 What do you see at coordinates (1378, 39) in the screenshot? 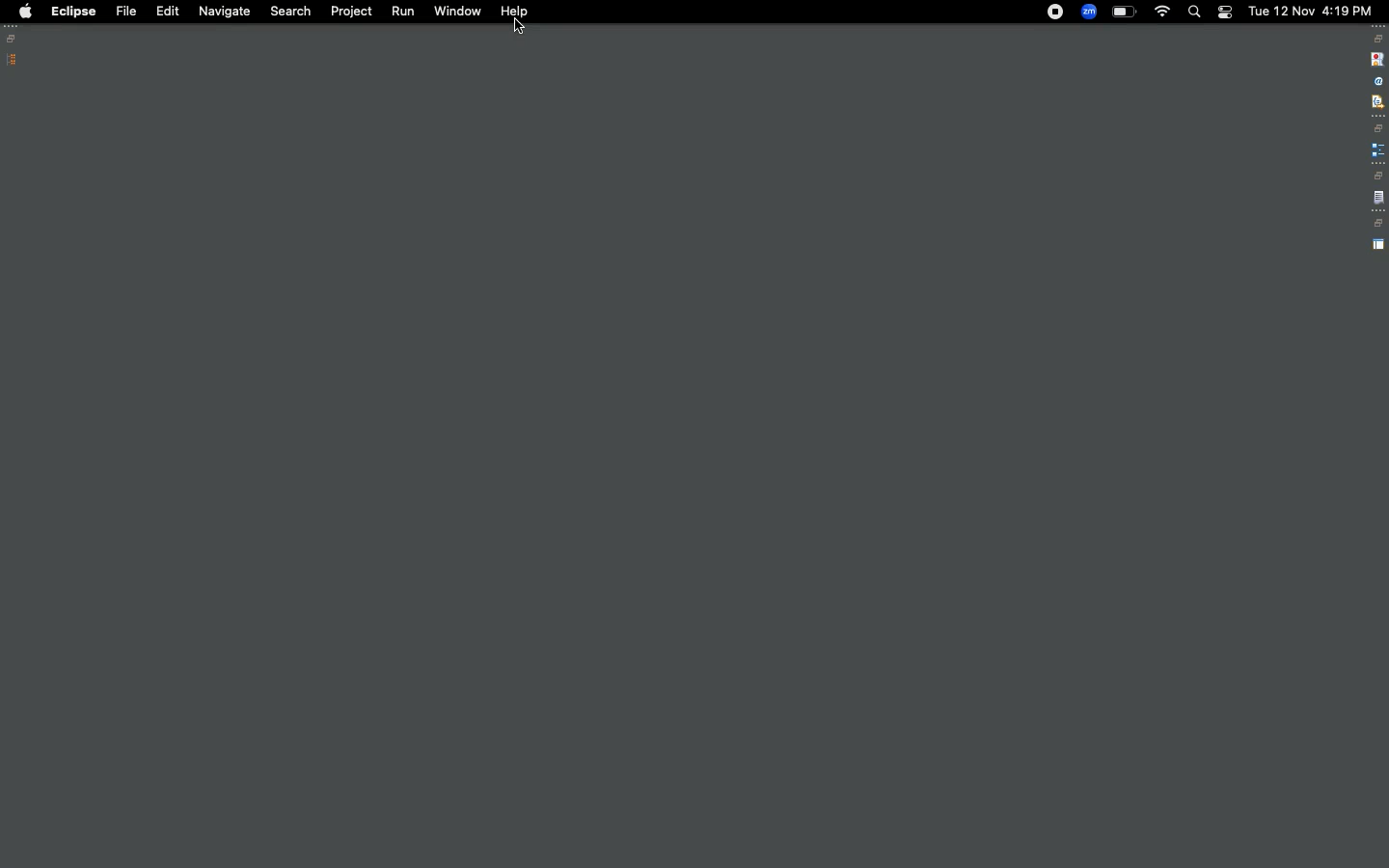
I see `restore` at bounding box center [1378, 39].